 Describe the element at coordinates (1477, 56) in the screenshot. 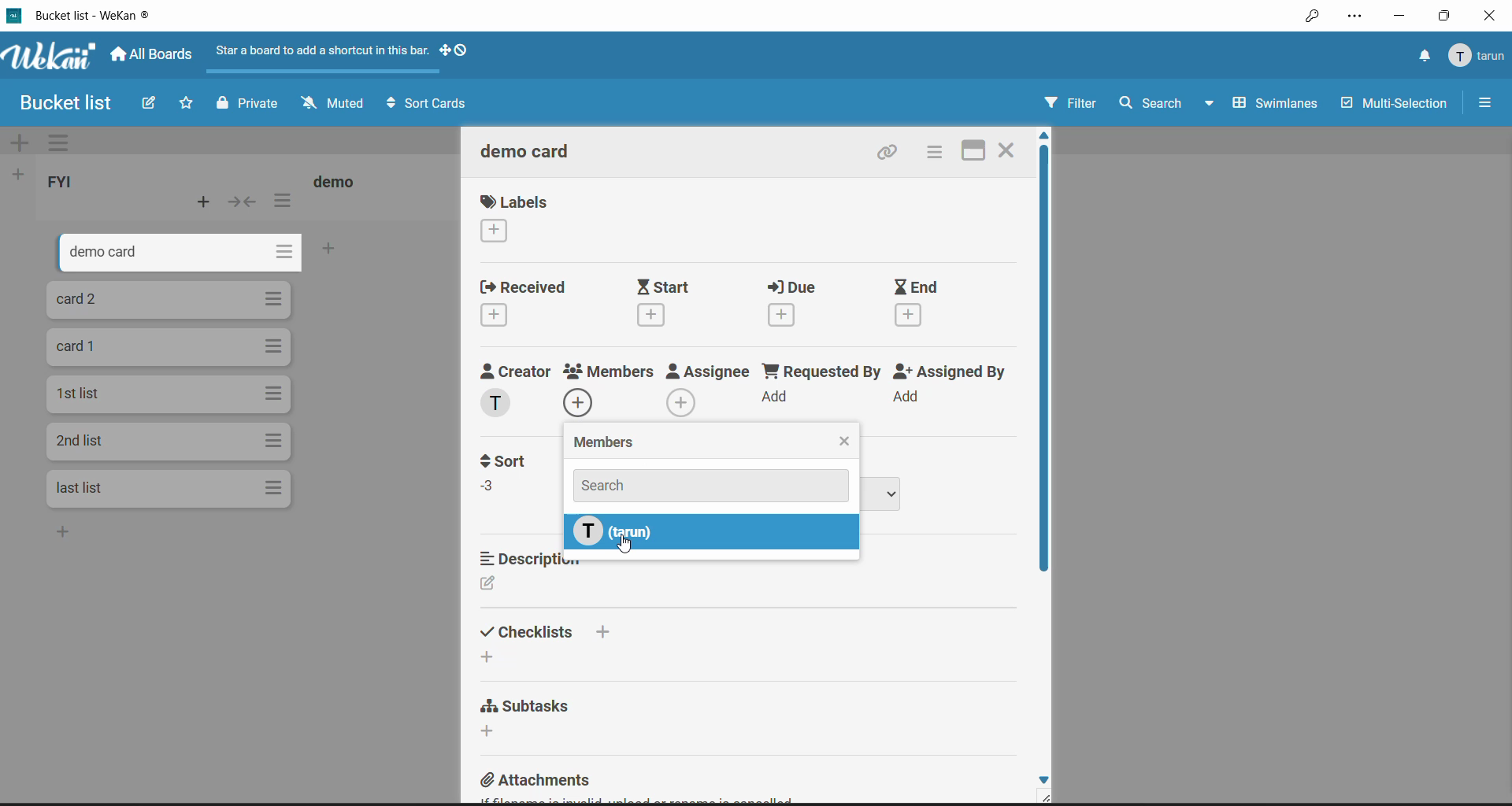

I see `member menu popup title` at that location.